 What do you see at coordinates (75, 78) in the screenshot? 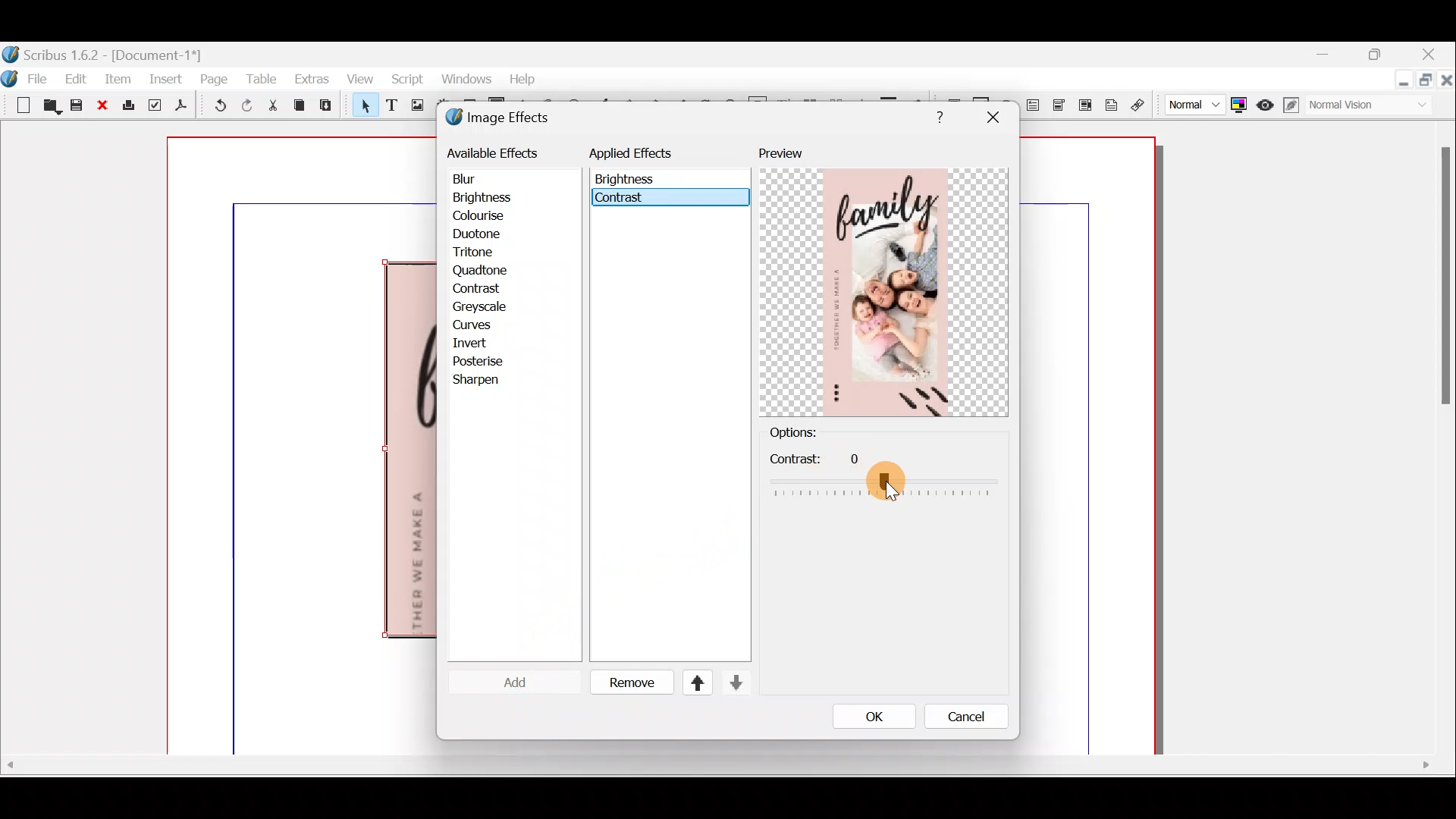
I see `Edit` at bounding box center [75, 78].